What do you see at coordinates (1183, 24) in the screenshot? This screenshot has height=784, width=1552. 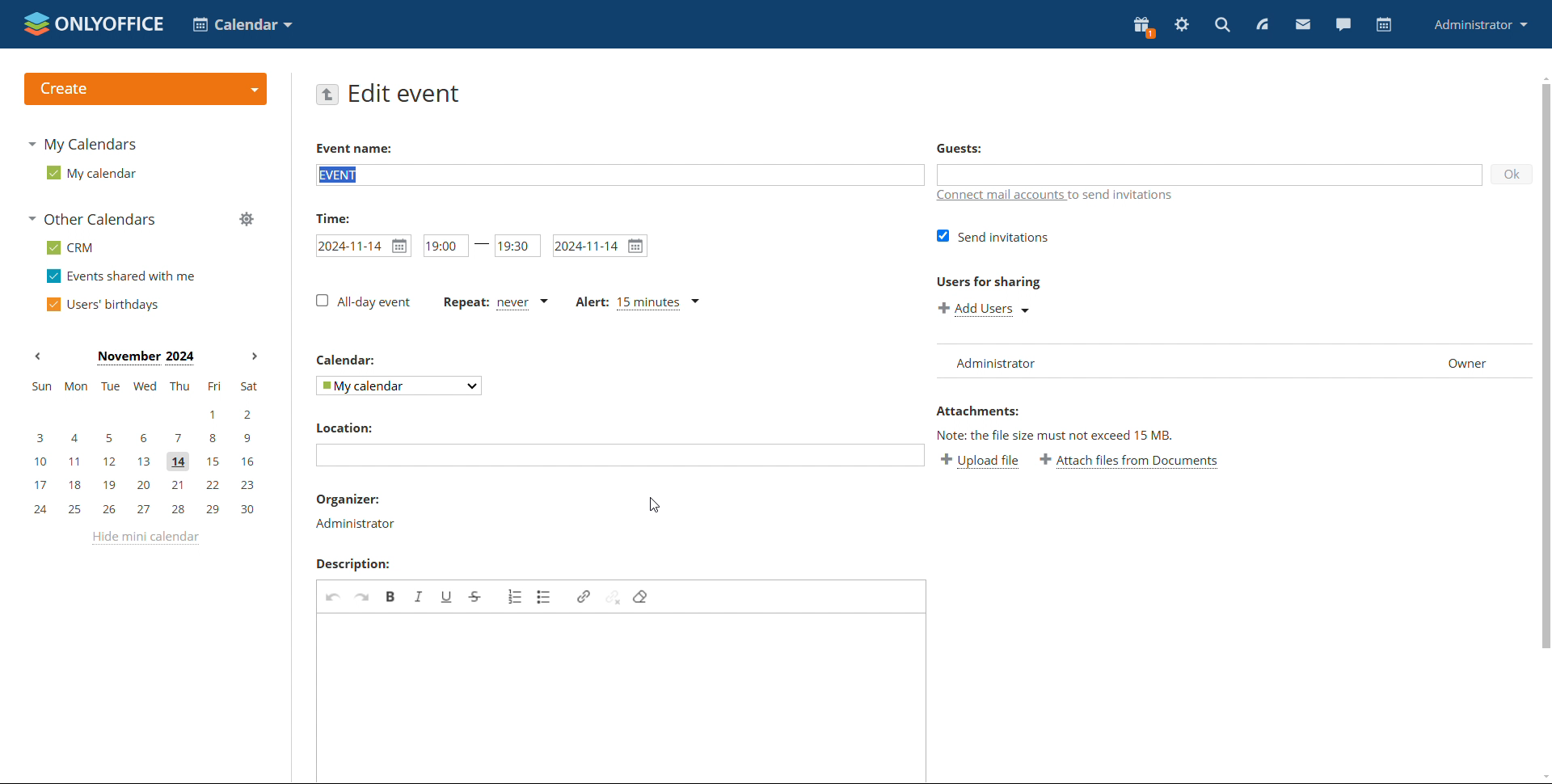 I see `settings` at bounding box center [1183, 24].